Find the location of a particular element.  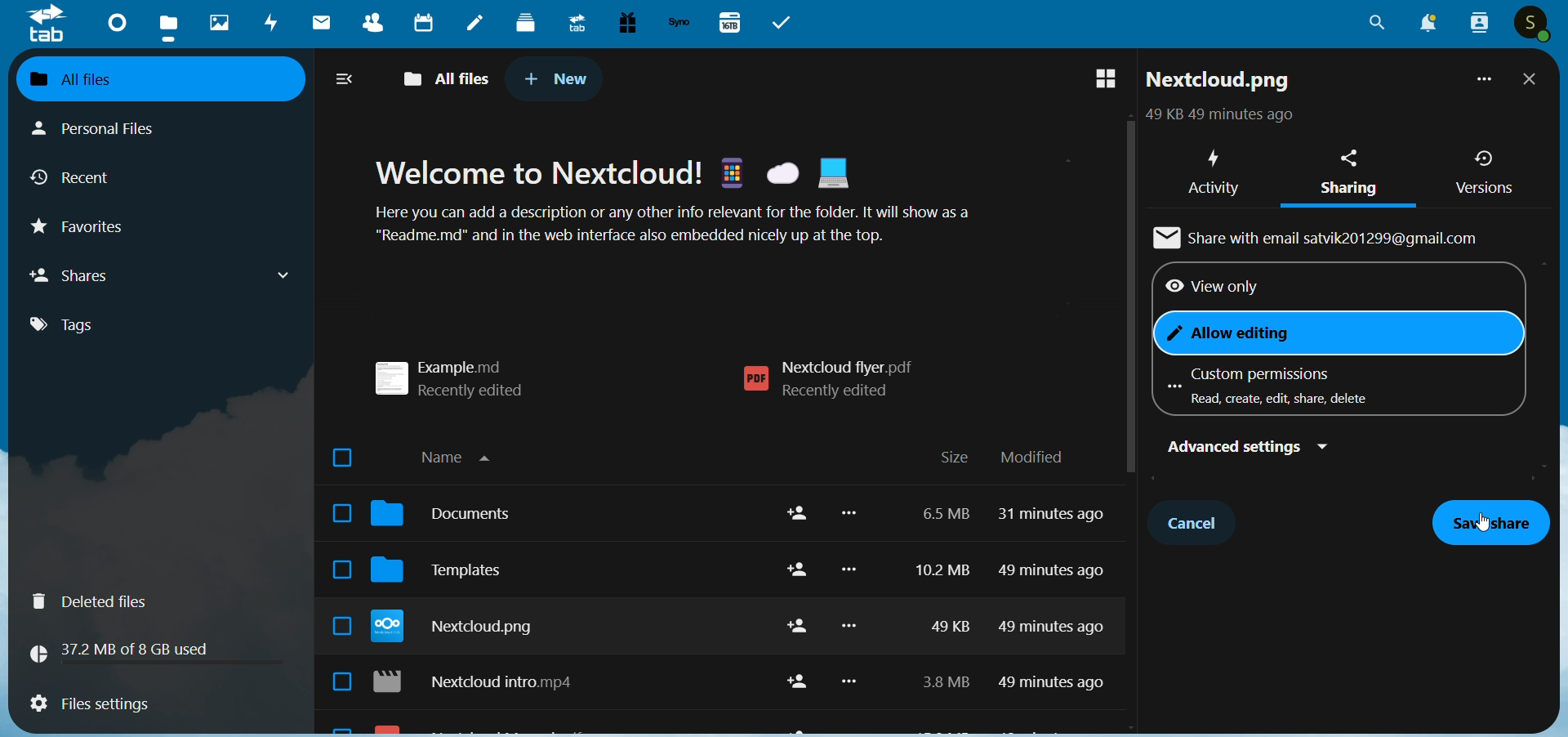

storage is located at coordinates (127, 650).